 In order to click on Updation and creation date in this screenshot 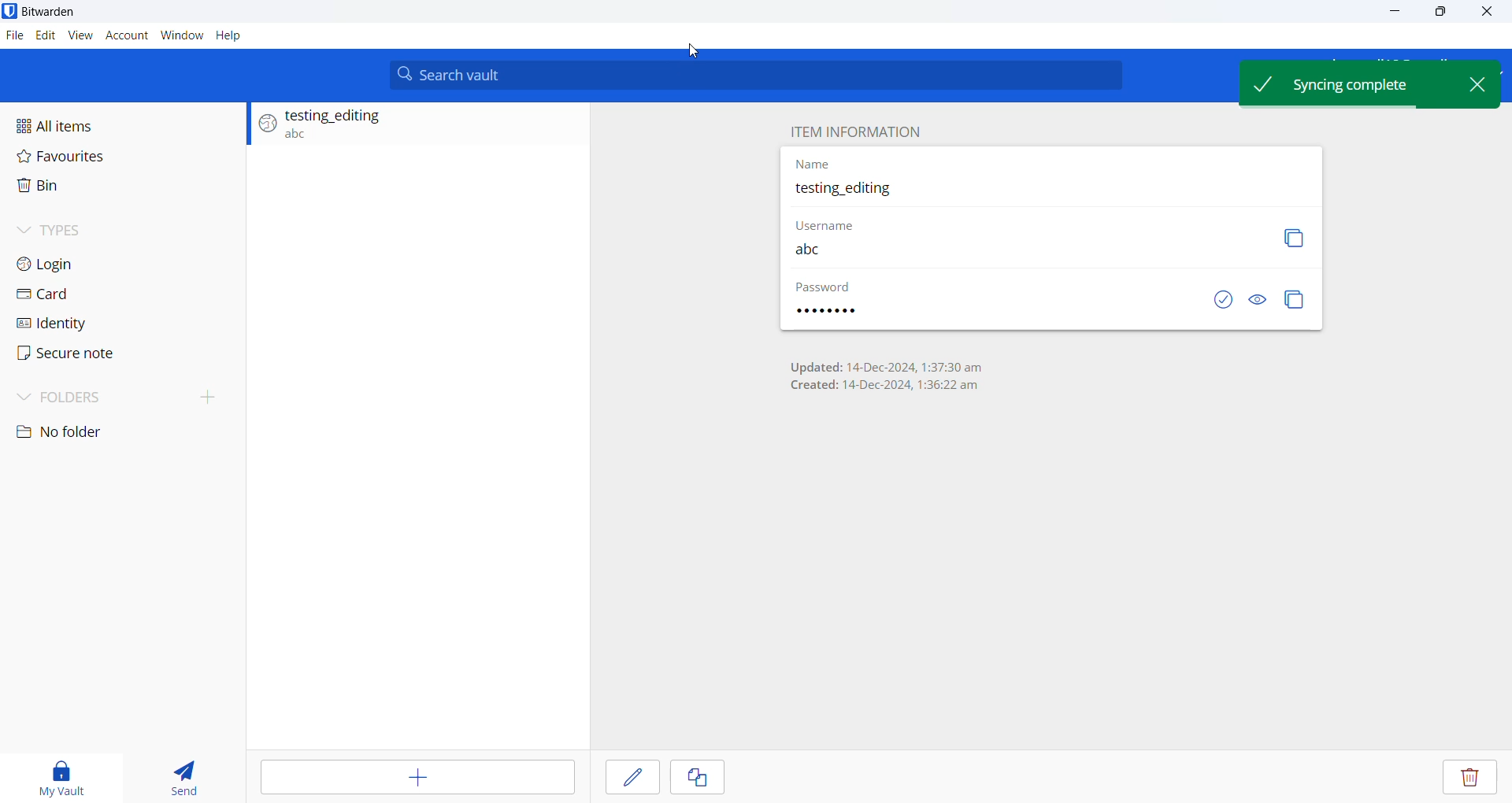, I will do `click(885, 373)`.